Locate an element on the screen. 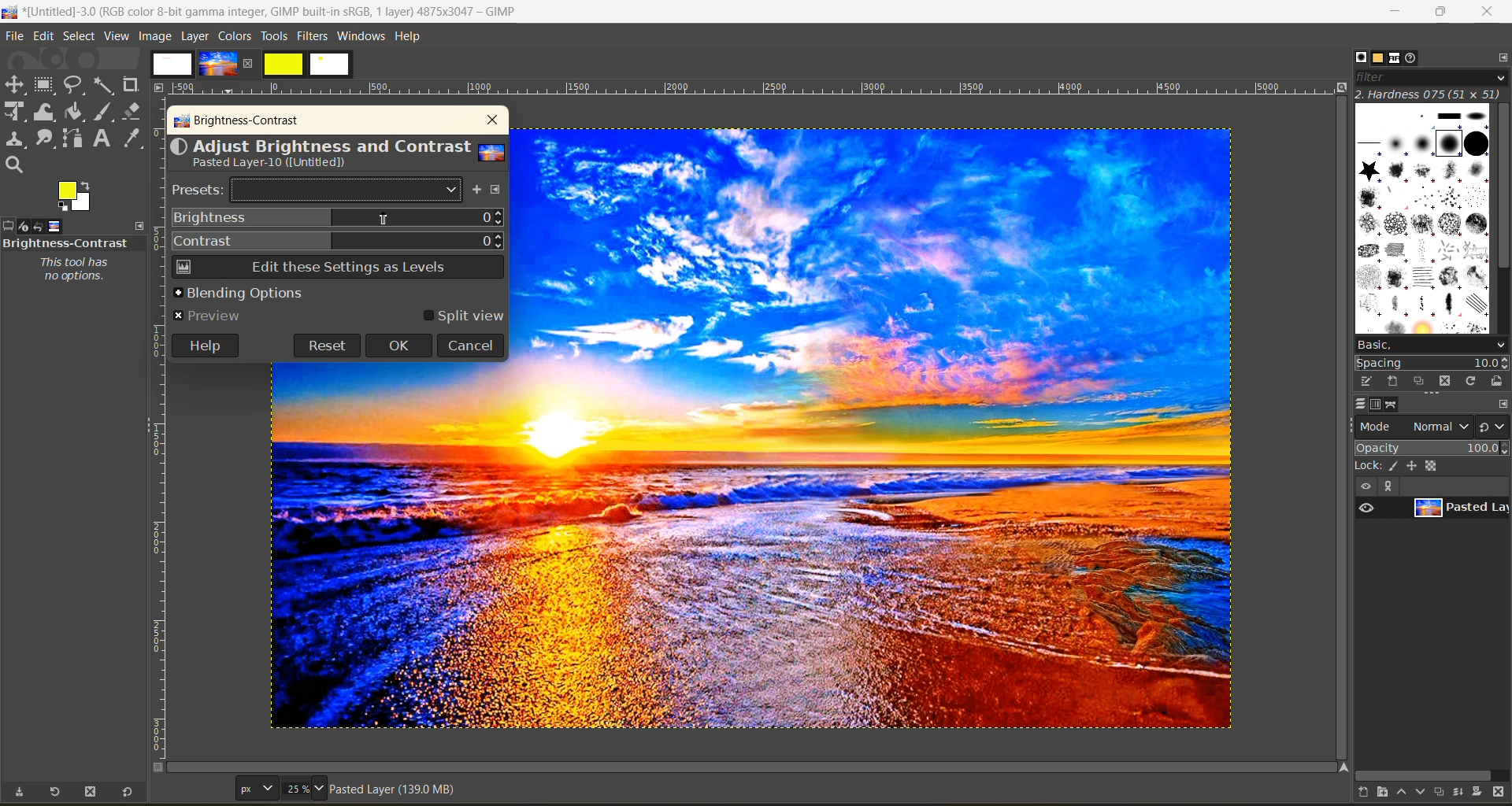 This screenshot has height=806, width=1512. brushes is located at coordinates (1361, 57).